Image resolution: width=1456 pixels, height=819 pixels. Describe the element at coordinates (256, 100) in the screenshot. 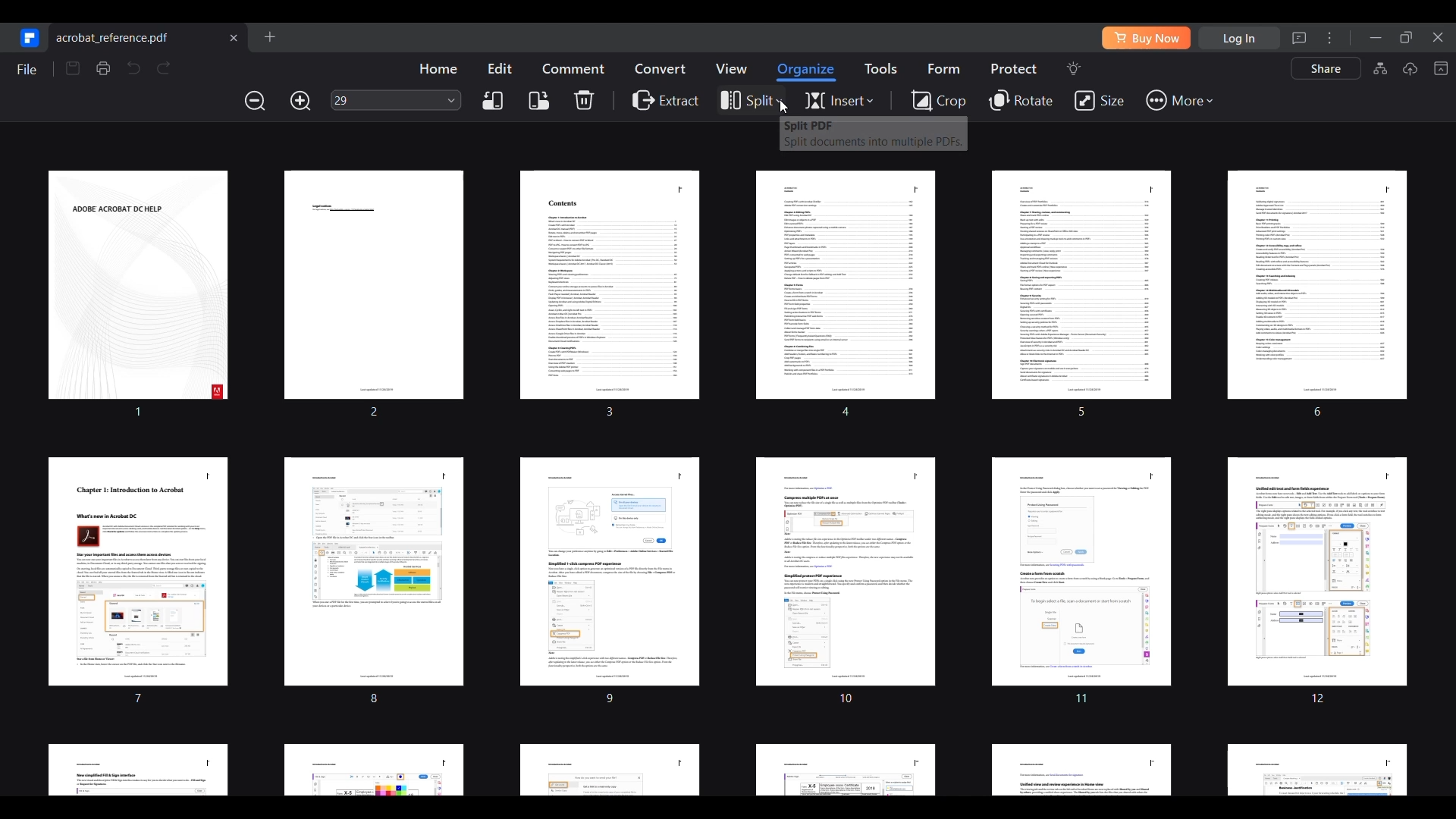

I see `Zoom out` at that location.